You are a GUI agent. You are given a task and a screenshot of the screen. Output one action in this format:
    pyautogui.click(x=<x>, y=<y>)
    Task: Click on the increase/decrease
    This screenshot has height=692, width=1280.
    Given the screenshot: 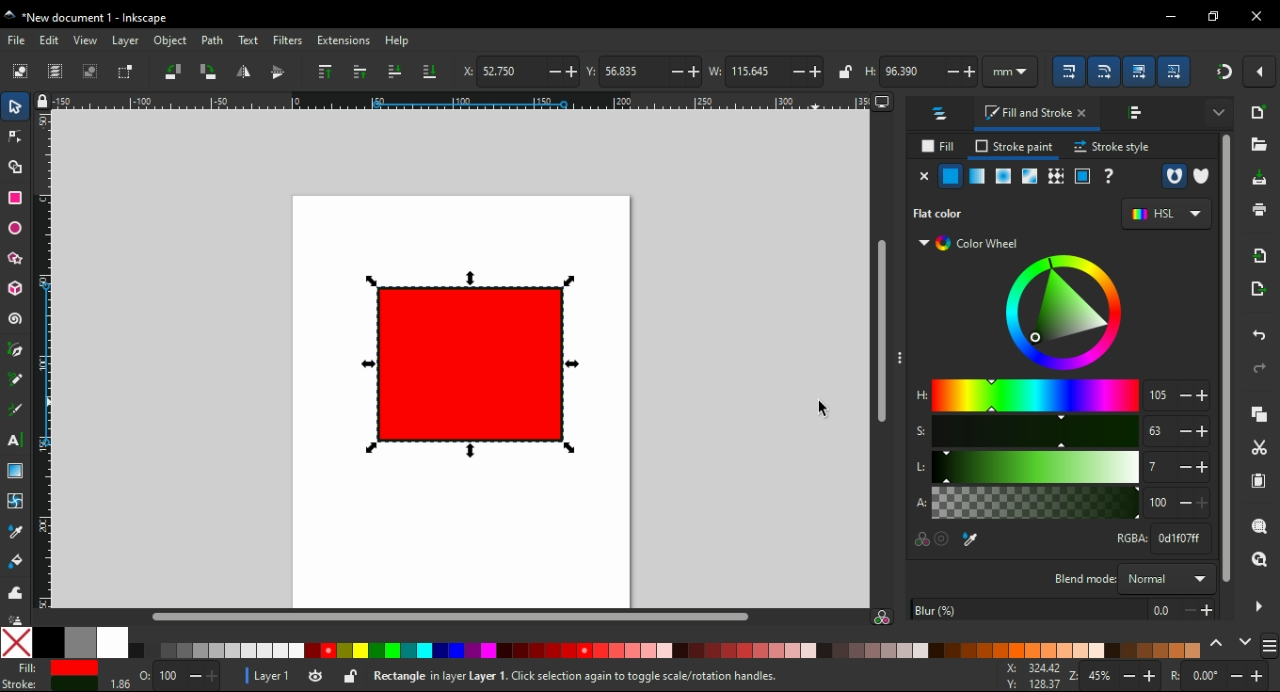 What is the action you would take?
    pyautogui.click(x=1141, y=676)
    